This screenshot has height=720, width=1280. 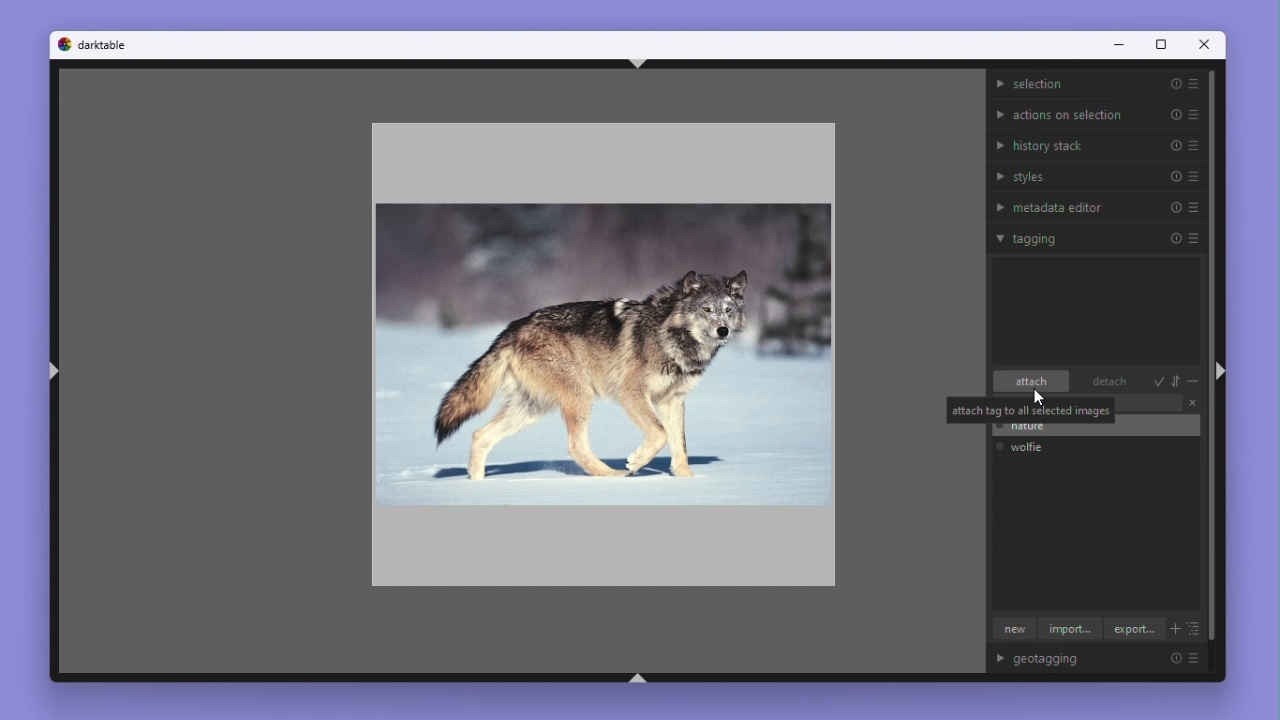 What do you see at coordinates (638, 63) in the screenshot?
I see `ctrl+shift+t` at bounding box center [638, 63].